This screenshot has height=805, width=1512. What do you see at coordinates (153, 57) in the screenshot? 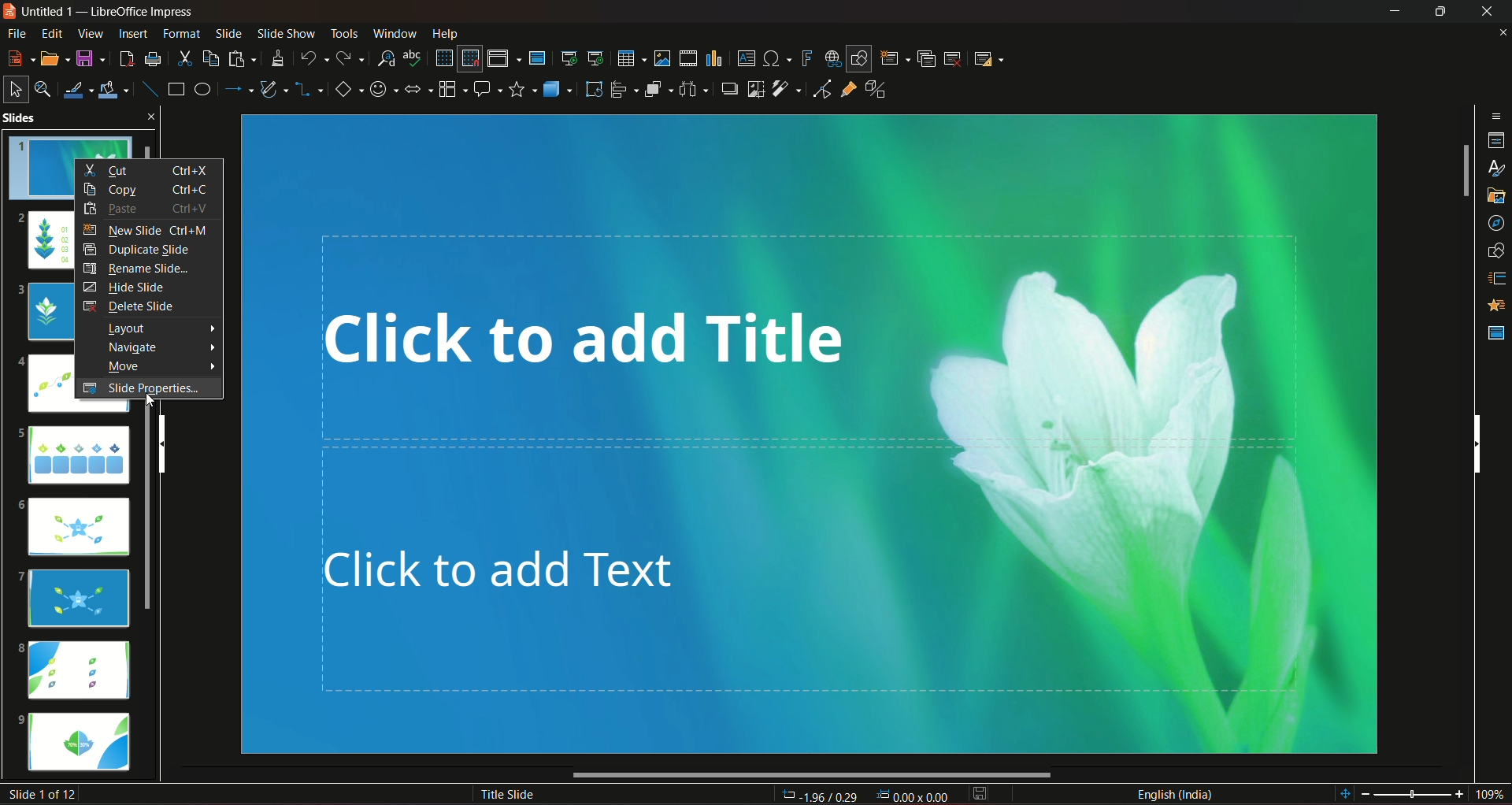
I see `print` at bounding box center [153, 57].